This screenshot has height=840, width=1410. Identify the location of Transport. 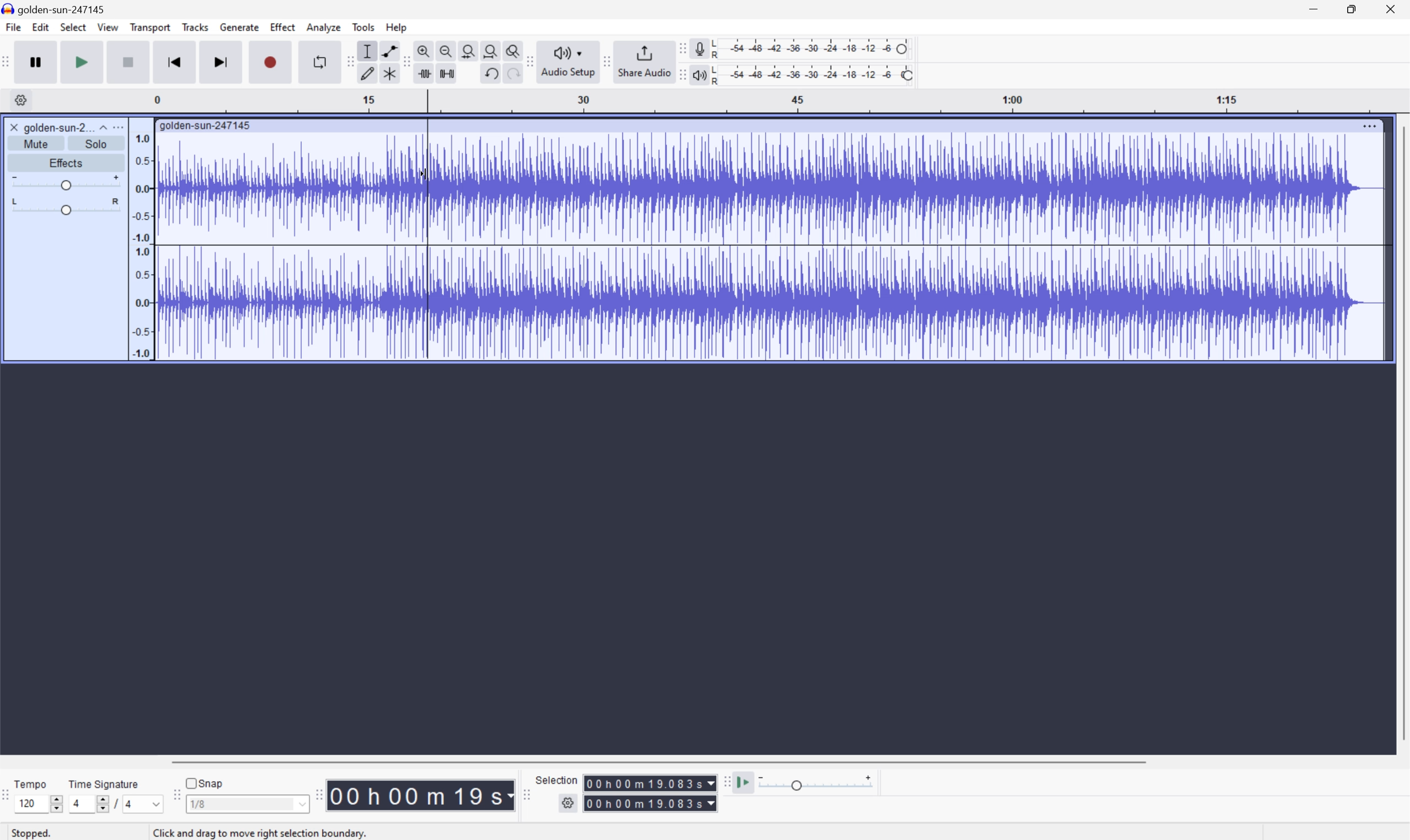
(151, 28).